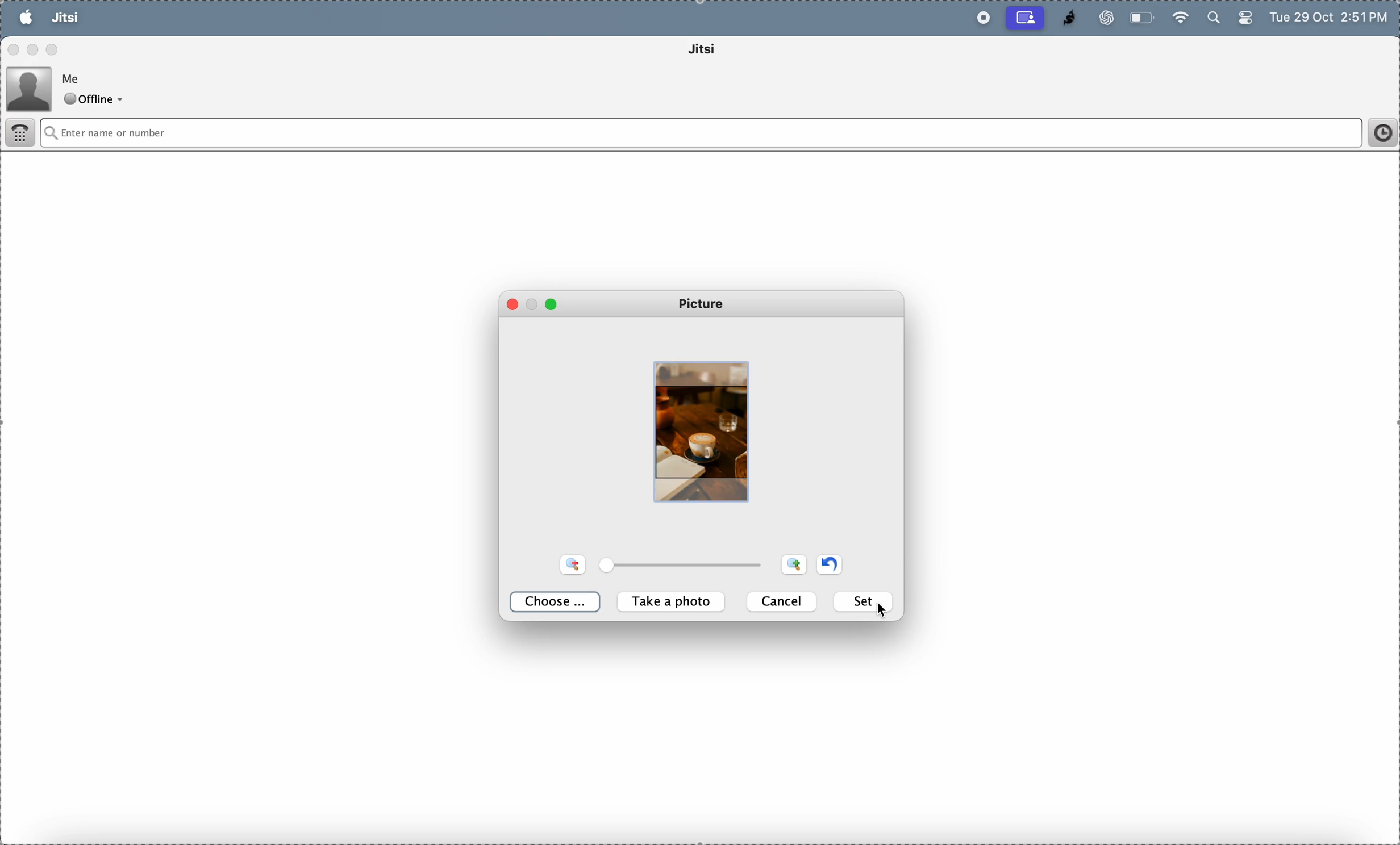 This screenshot has width=1400, height=845. Describe the element at coordinates (794, 564) in the screenshot. I see `zoom out` at that location.